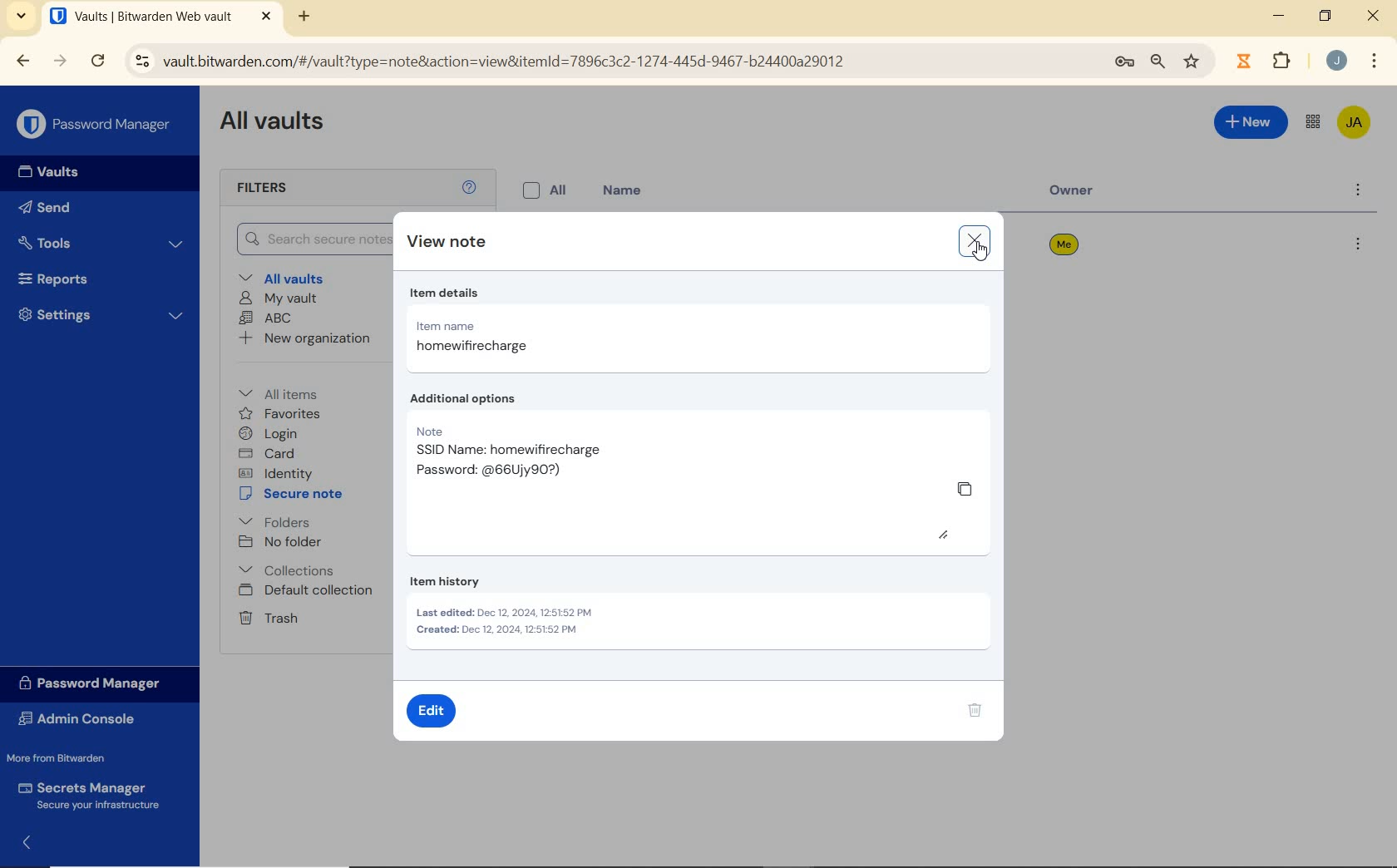 Image resolution: width=1397 pixels, height=868 pixels. What do you see at coordinates (306, 240) in the screenshot?
I see `Search Vault` at bounding box center [306, 240].